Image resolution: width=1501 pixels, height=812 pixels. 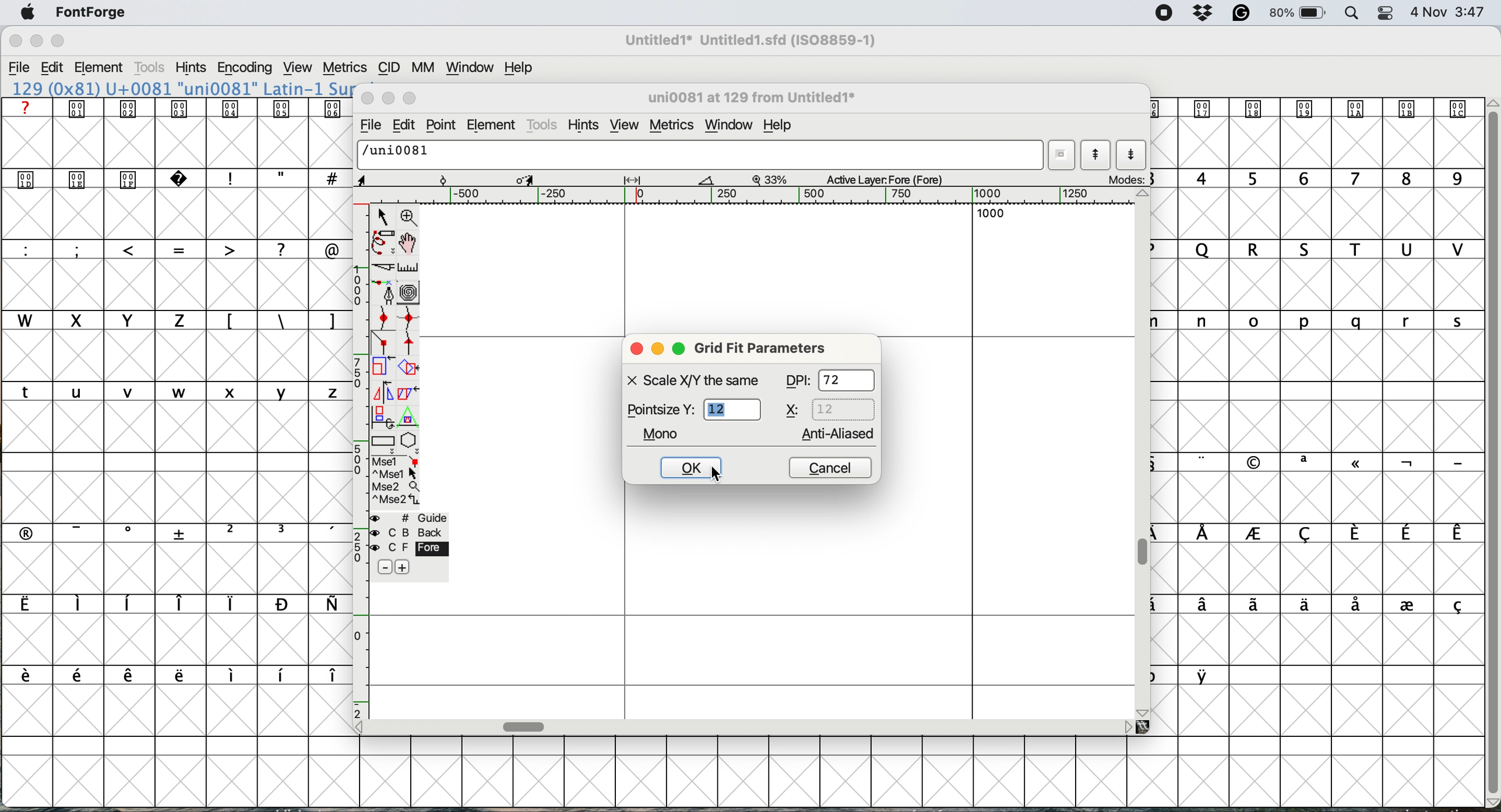 I want to click on scale the selection, so click(x=383, y=369).